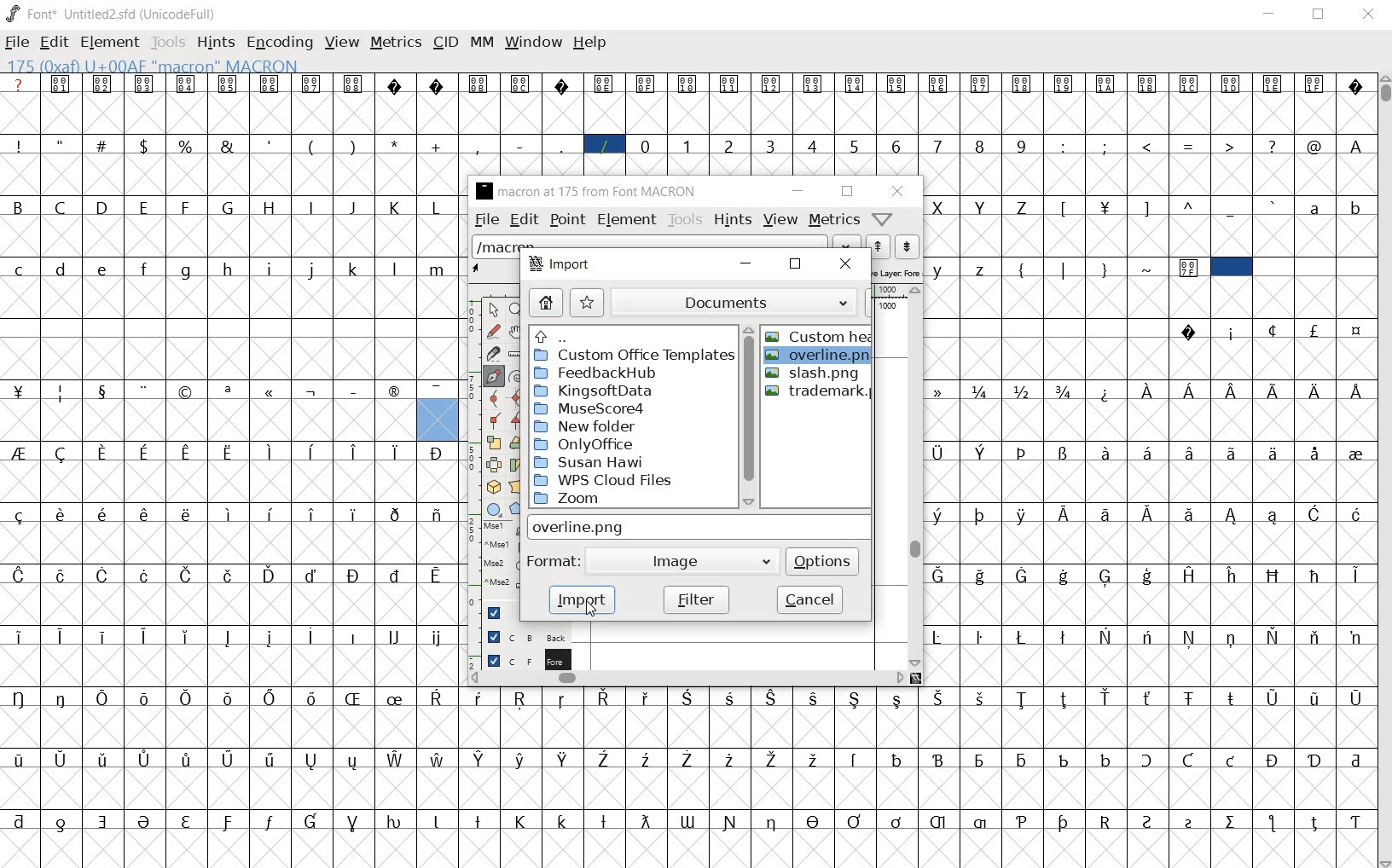 The image size is (1392, 868). What do you see at coordinates (1273, 454) in the screenshot?
I see `Symbol` at bounding box center [1273, 454].